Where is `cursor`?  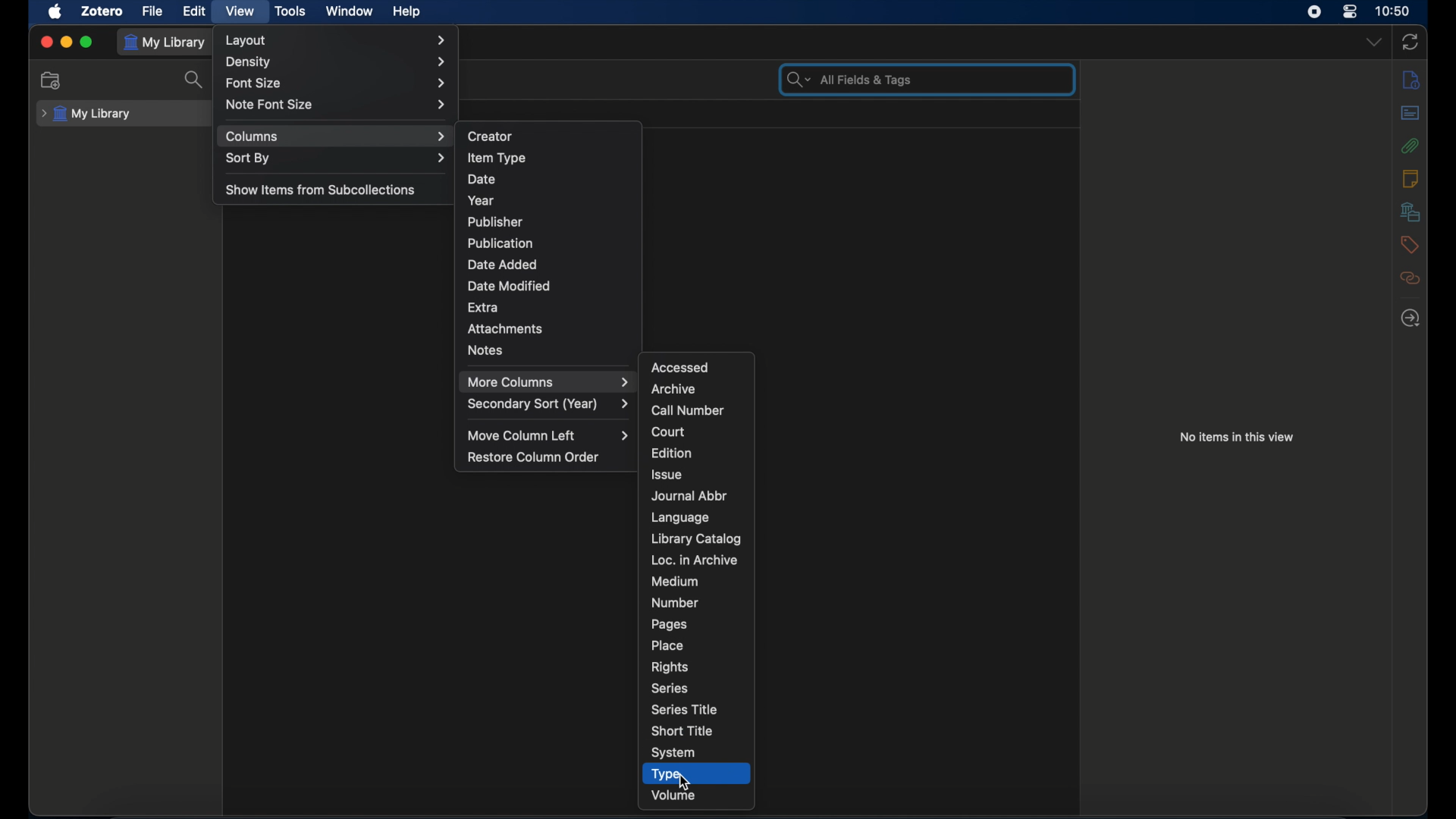
cursor is located at coordinates (682, 781).